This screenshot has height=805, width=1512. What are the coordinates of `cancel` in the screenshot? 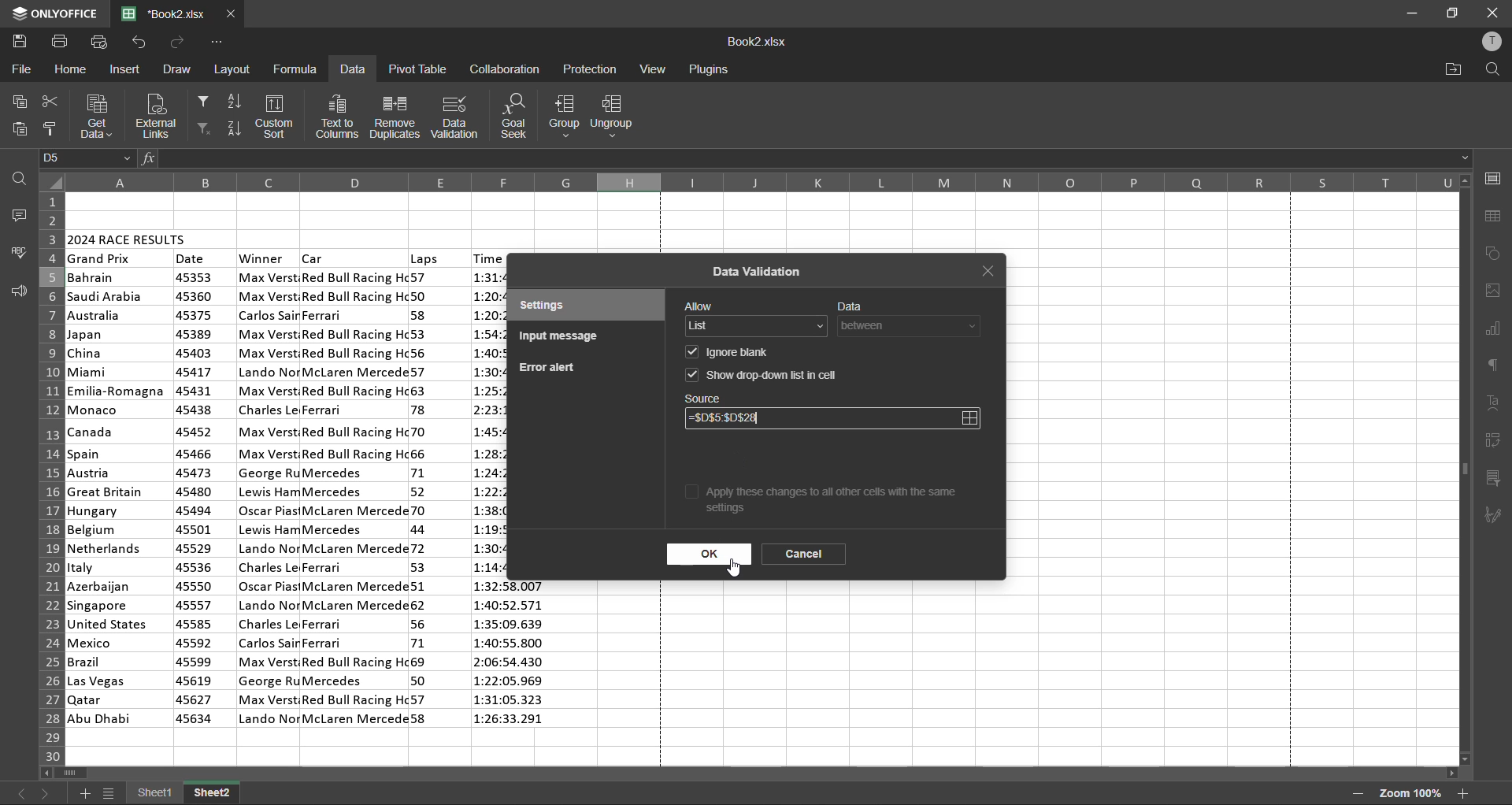 It's located at (803, 555).